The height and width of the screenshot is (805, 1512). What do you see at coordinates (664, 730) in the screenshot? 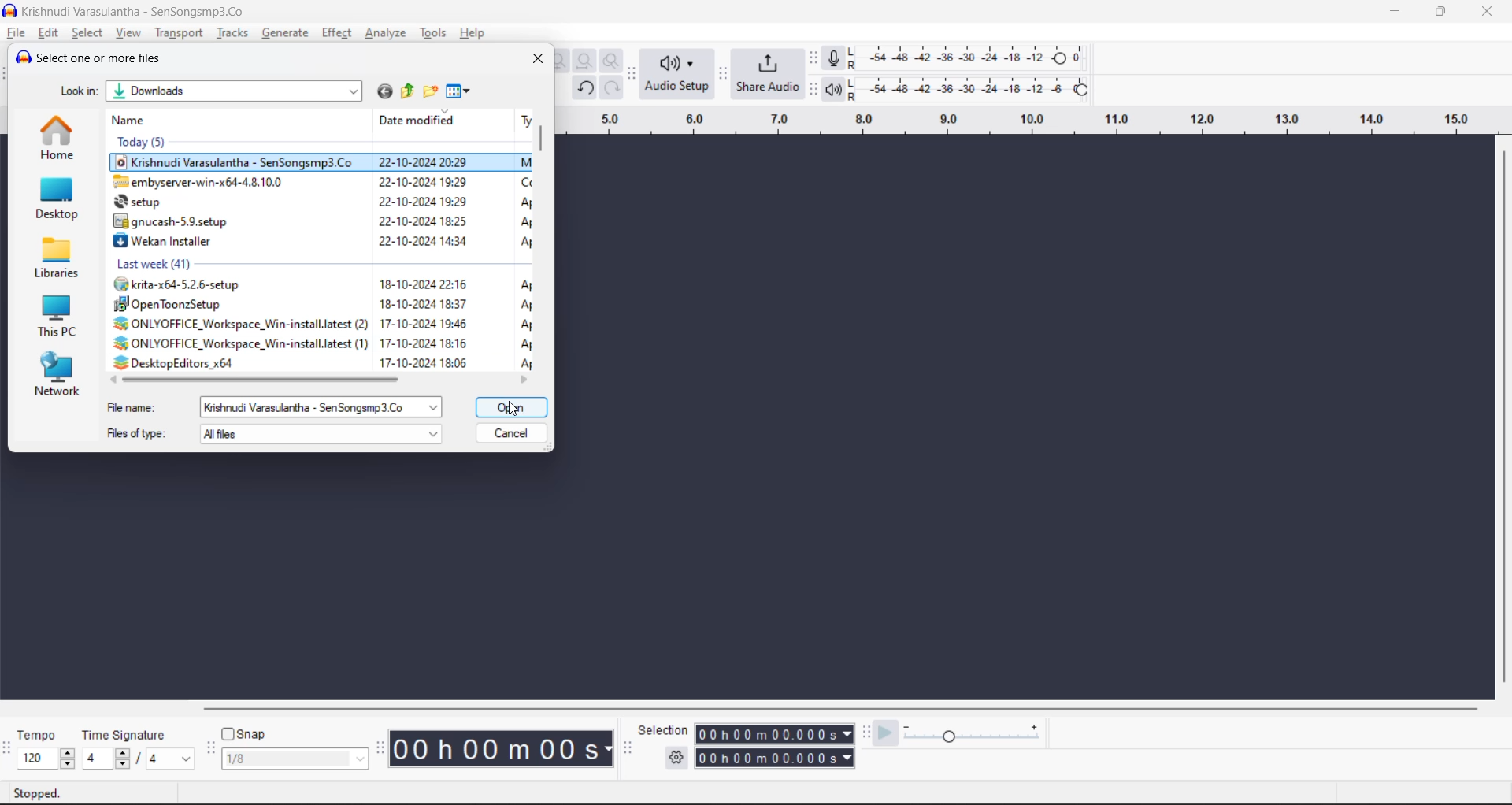
I see `selection` at bounding box center [664, 730].